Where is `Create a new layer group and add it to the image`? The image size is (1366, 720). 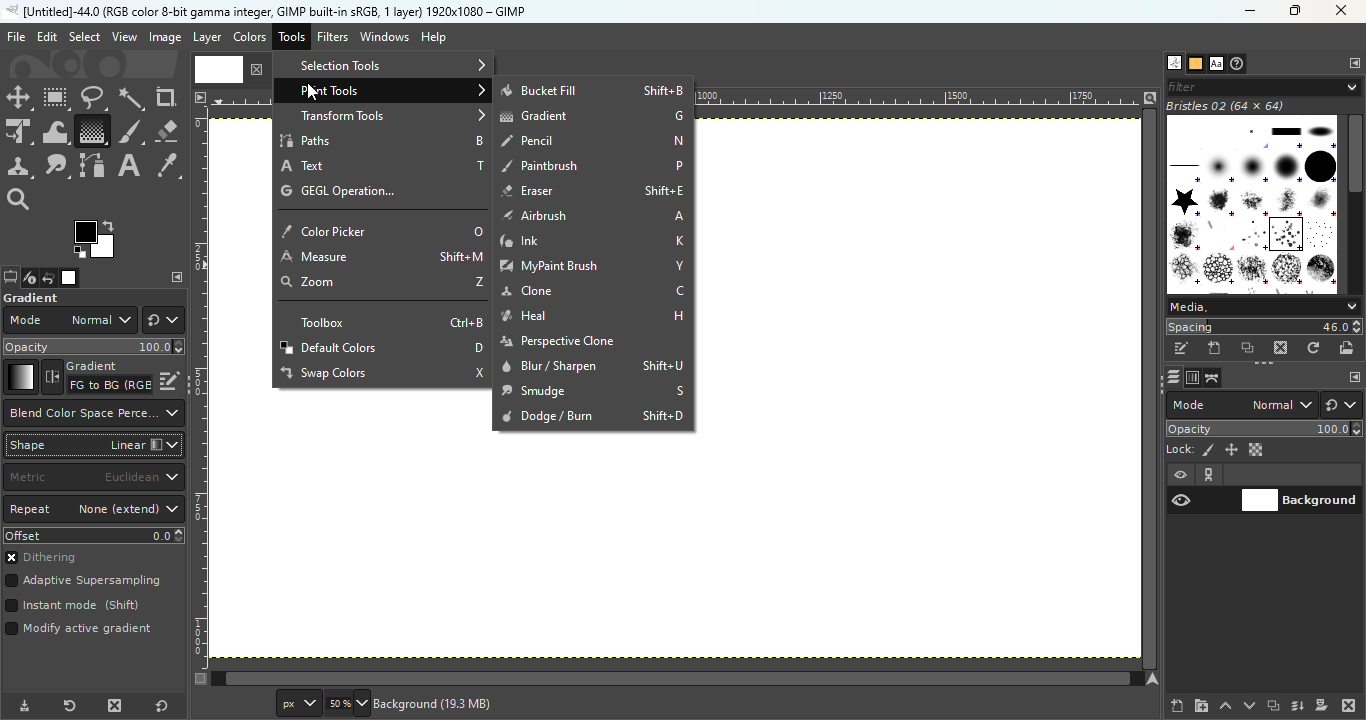 Create a new layer group and add it to the image is located at coordinates (1201, 706).